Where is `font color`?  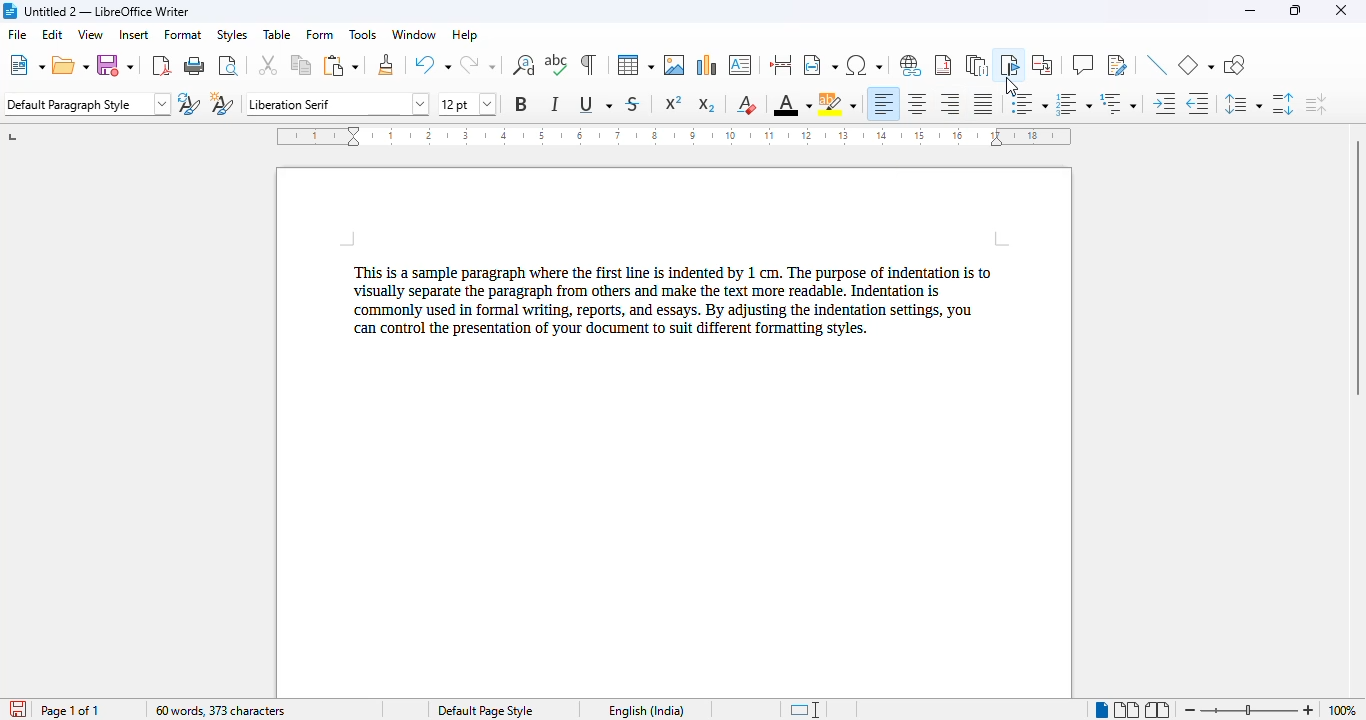 font color is located at coordinates (792, 104).